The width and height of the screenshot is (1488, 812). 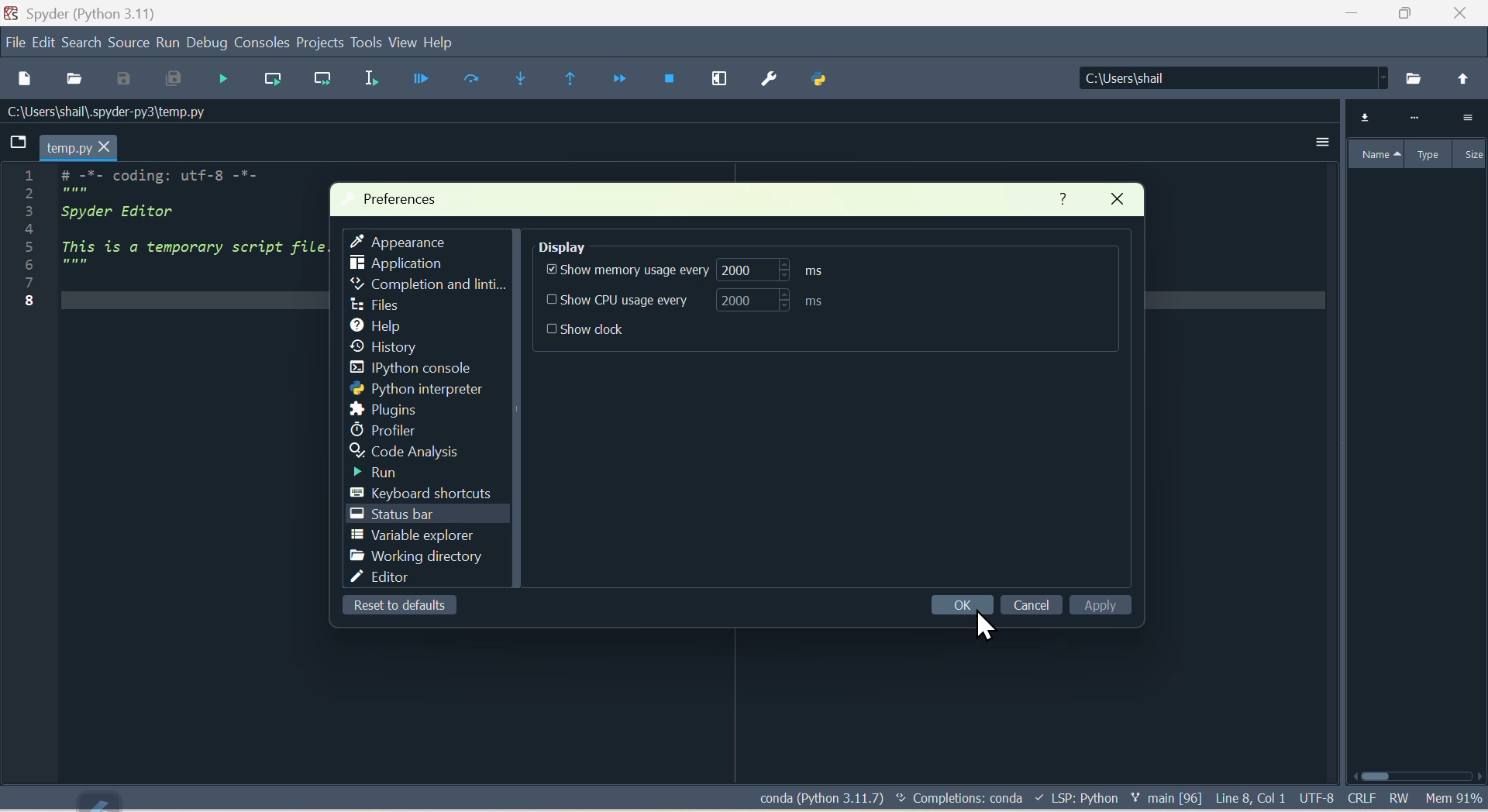 I want to click on Minimize, so click(x=1355, y=15).